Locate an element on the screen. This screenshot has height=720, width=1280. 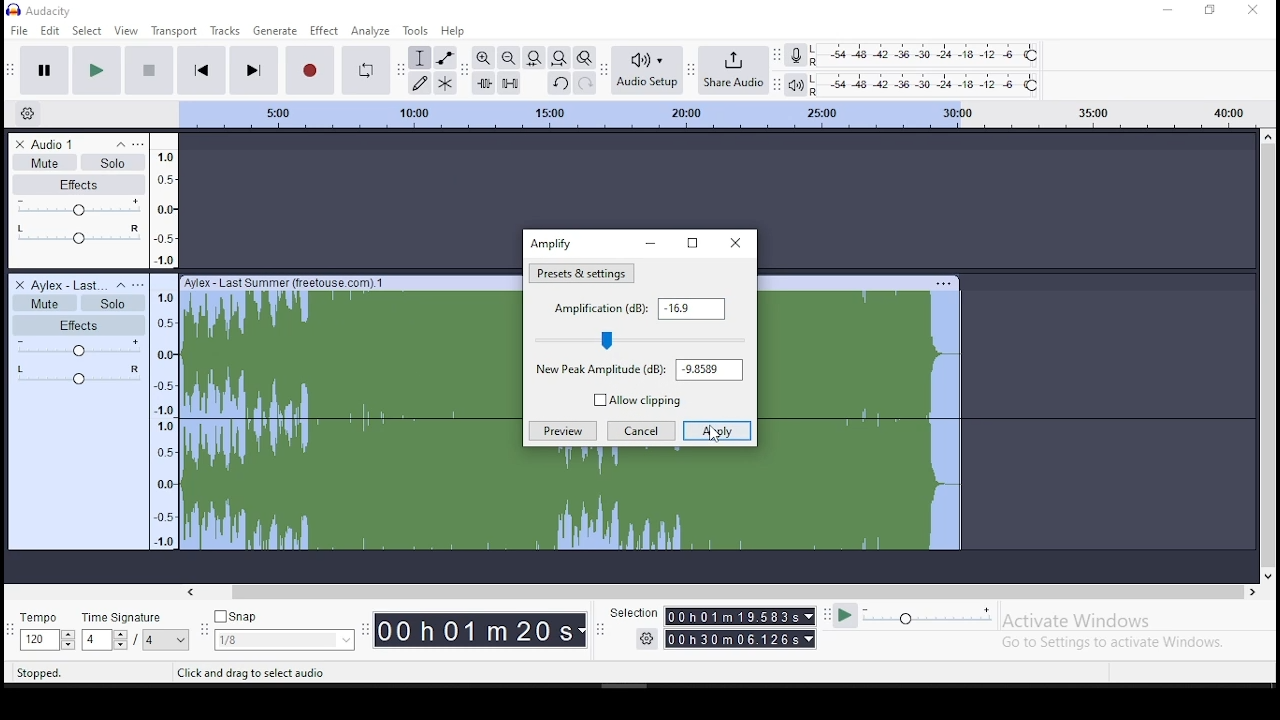
open menu is located at coordinates (138, 284).